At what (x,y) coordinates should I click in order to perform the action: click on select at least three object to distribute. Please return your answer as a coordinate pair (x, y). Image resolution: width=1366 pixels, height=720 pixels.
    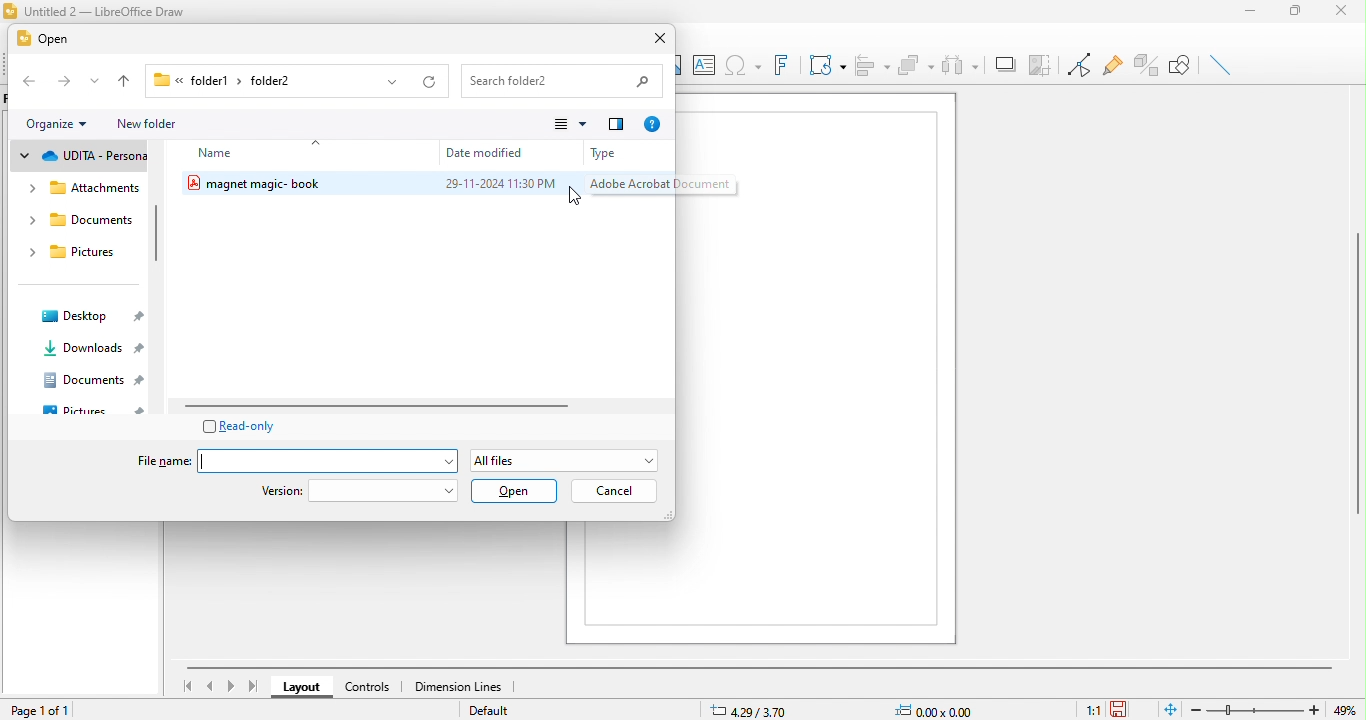
    Looking at the image, I should click on (962, 63).